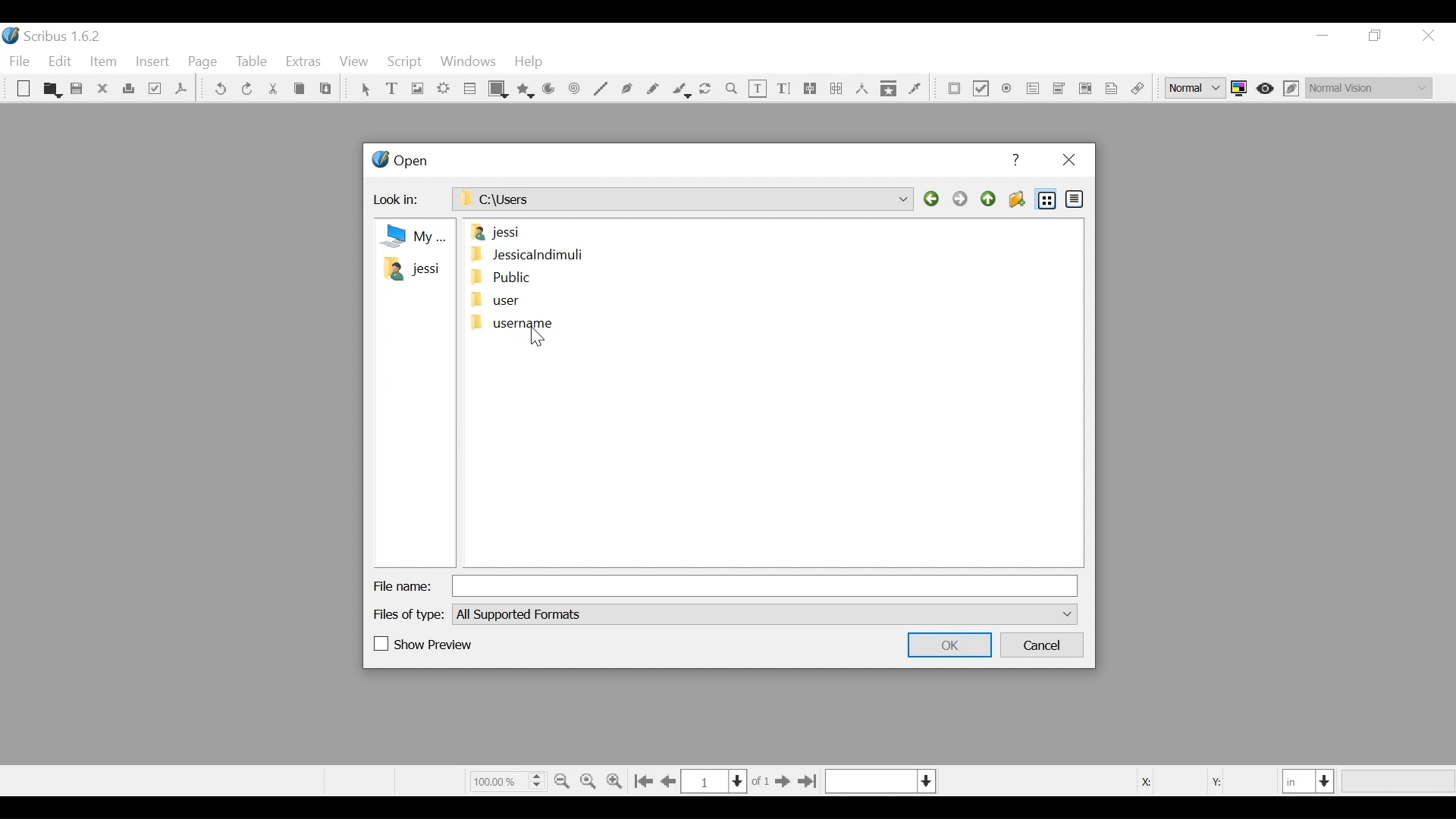  Describe the element at coordinates (402, 202) in the screenshot. I see `Look in` at that location.